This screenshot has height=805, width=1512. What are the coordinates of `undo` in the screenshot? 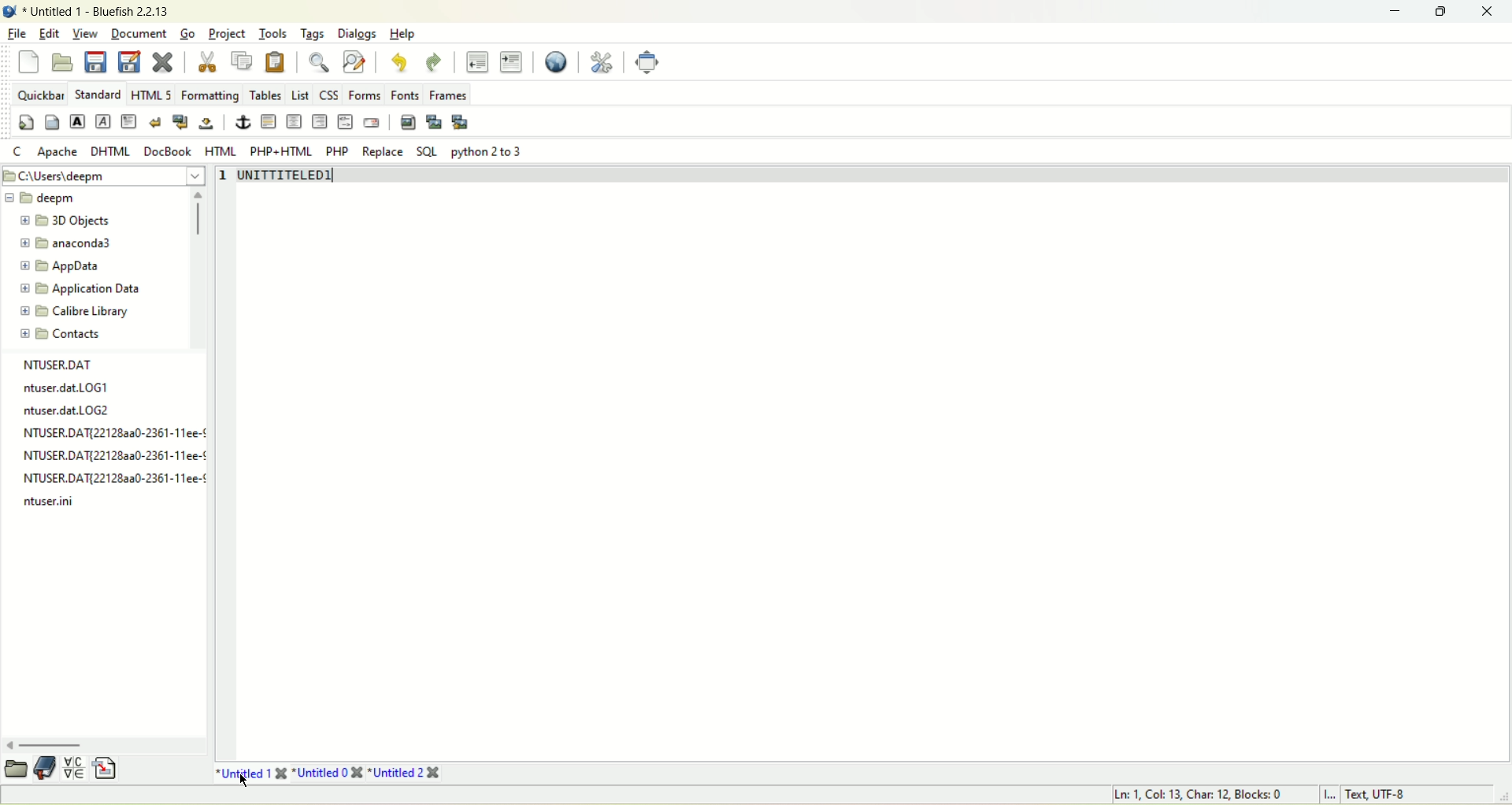 It's located at (400, 60).